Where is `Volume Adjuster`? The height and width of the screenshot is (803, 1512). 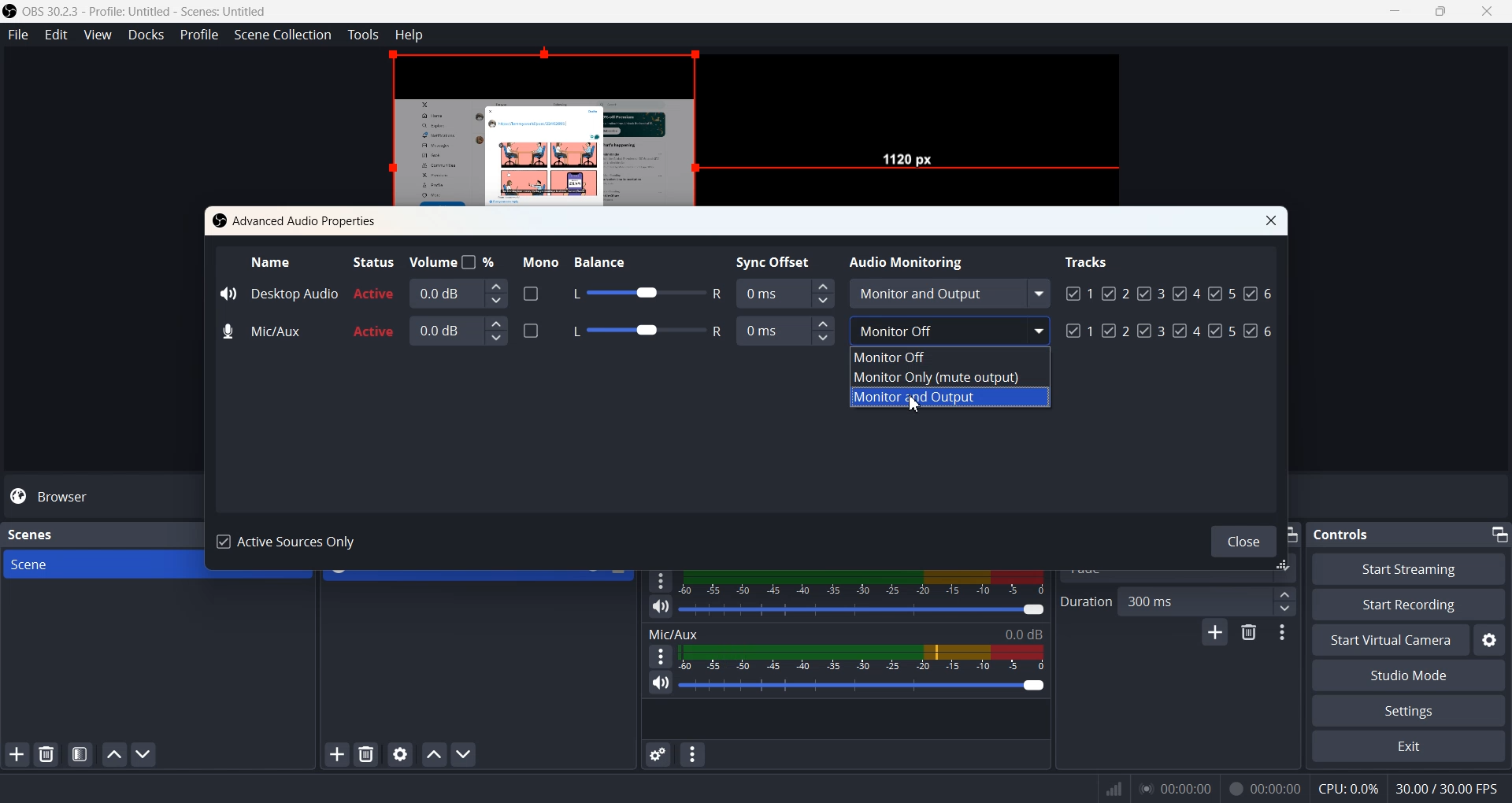 Volume Adjuster is located at coordinates (862, 685).